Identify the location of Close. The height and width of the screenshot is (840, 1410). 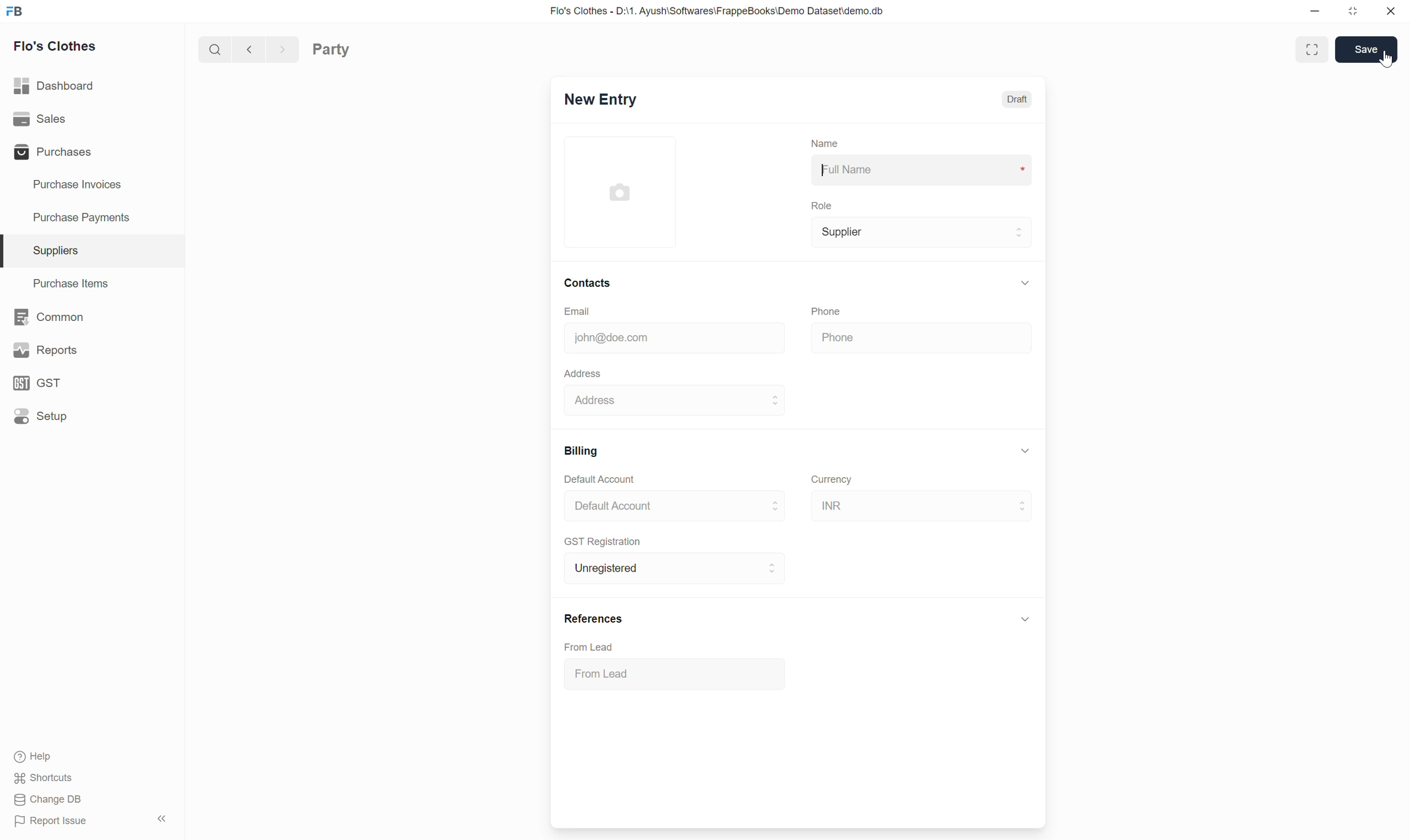
(1391, 11).